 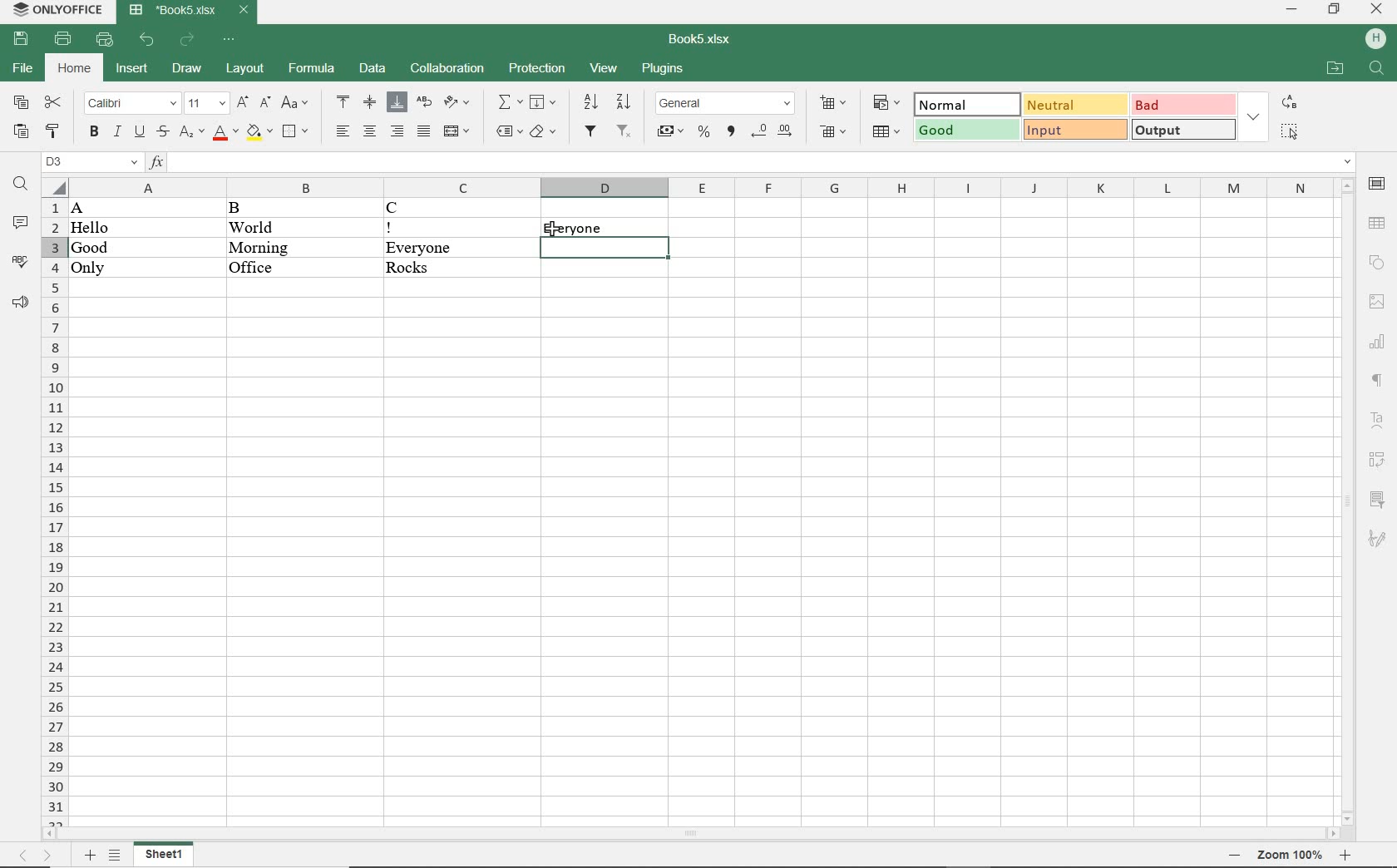 I want to click on formula returns everyone, so click(x=603, y=225).